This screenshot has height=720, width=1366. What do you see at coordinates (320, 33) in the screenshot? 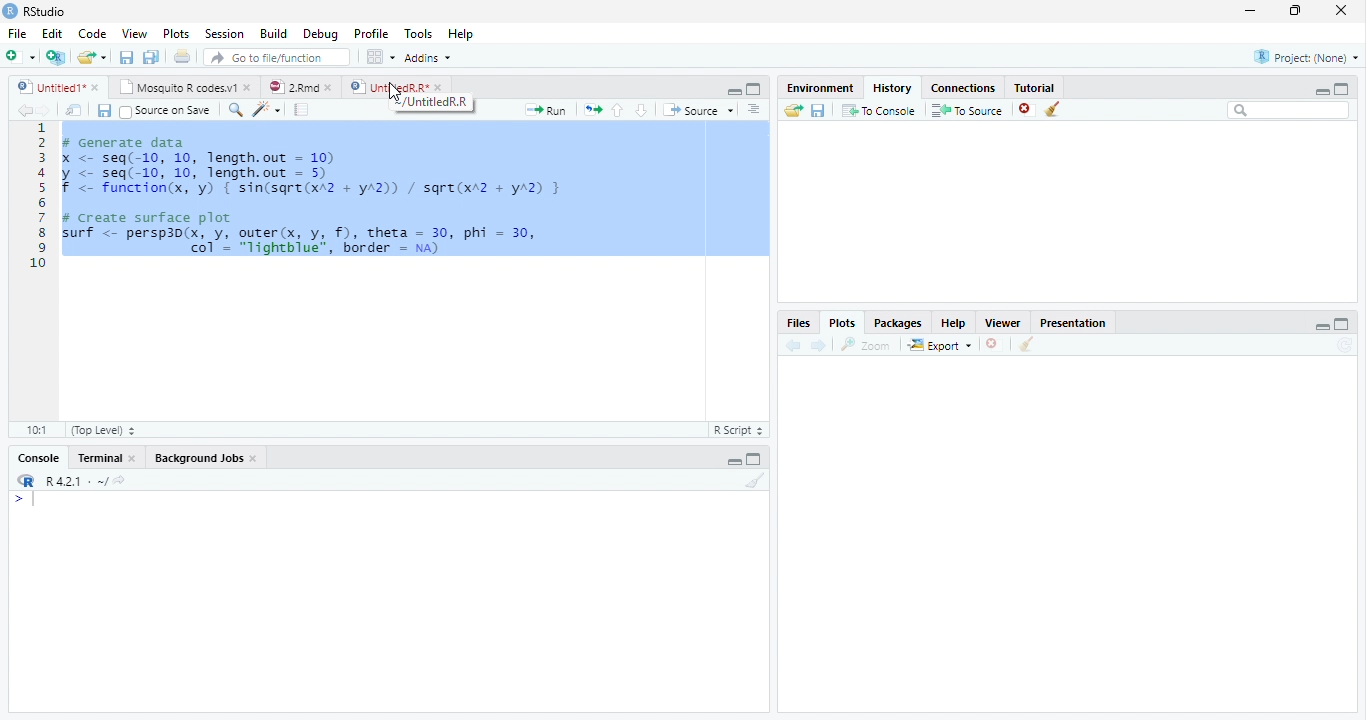
I see `Debug` at bounding box center [320, 33].